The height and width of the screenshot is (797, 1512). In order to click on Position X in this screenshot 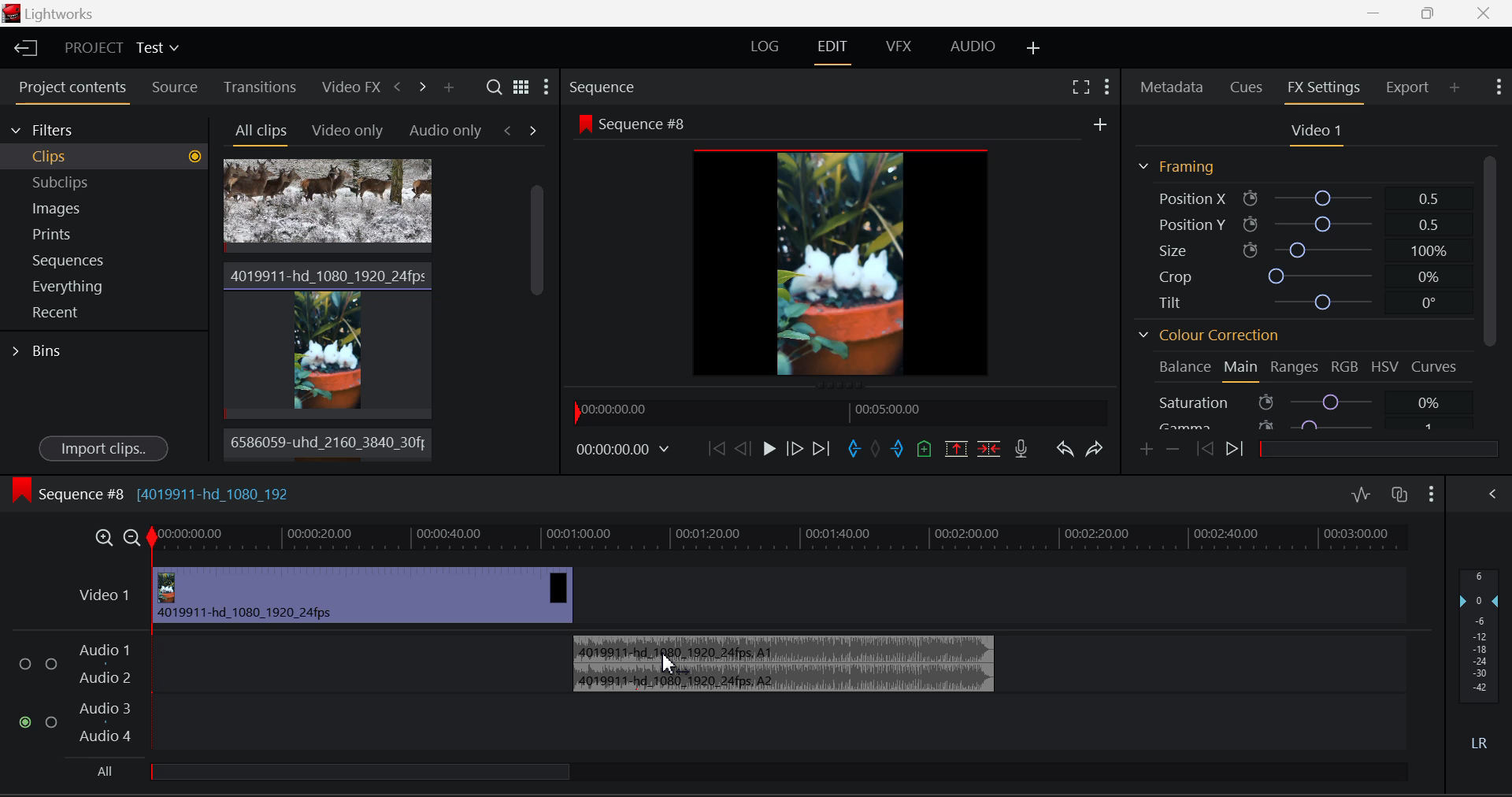, I will do `click(1309, 196)`.